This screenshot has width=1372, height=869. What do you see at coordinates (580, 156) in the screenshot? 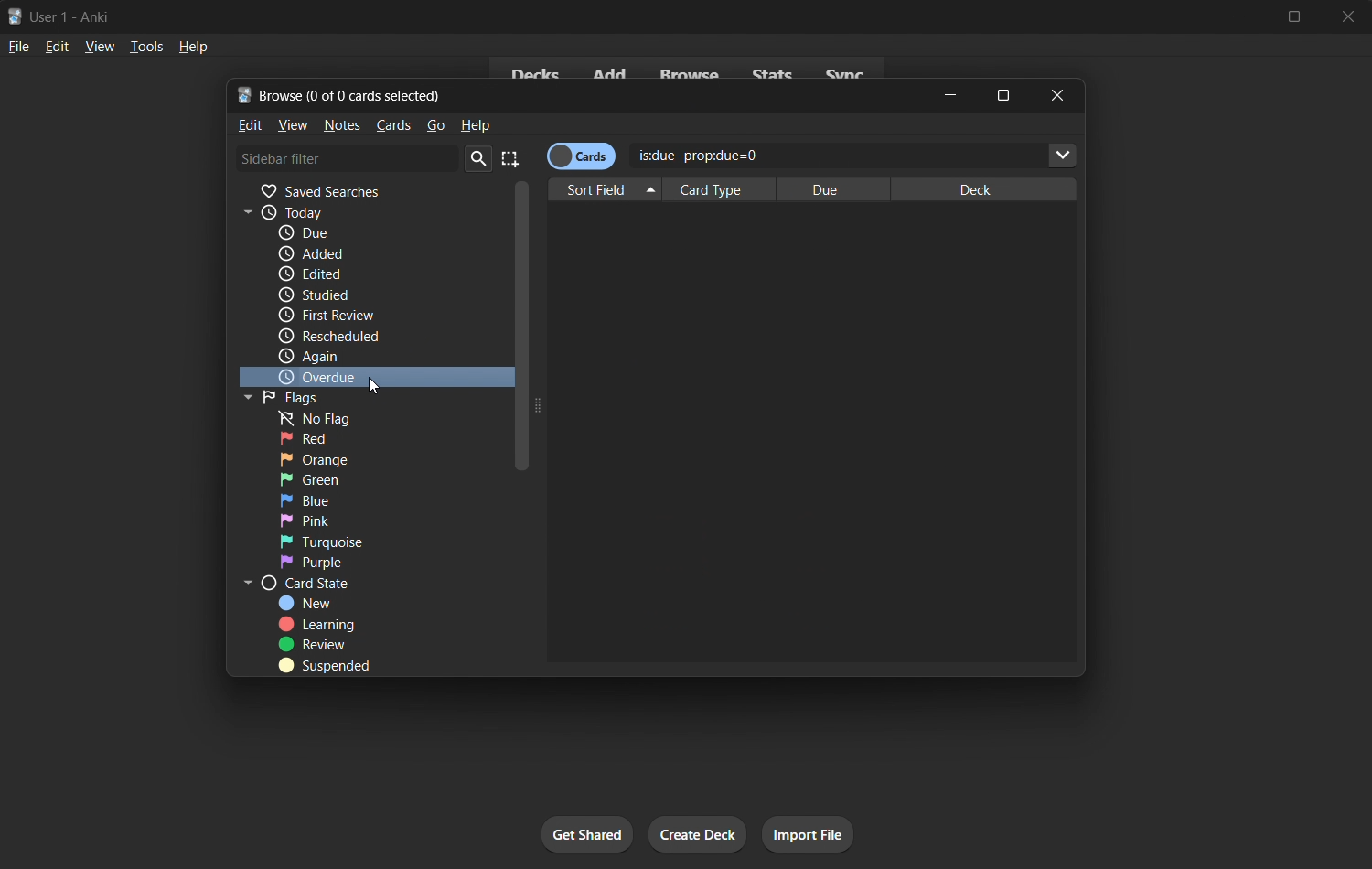
I see `cards/notes toggle` at bounding box center [580, 156].